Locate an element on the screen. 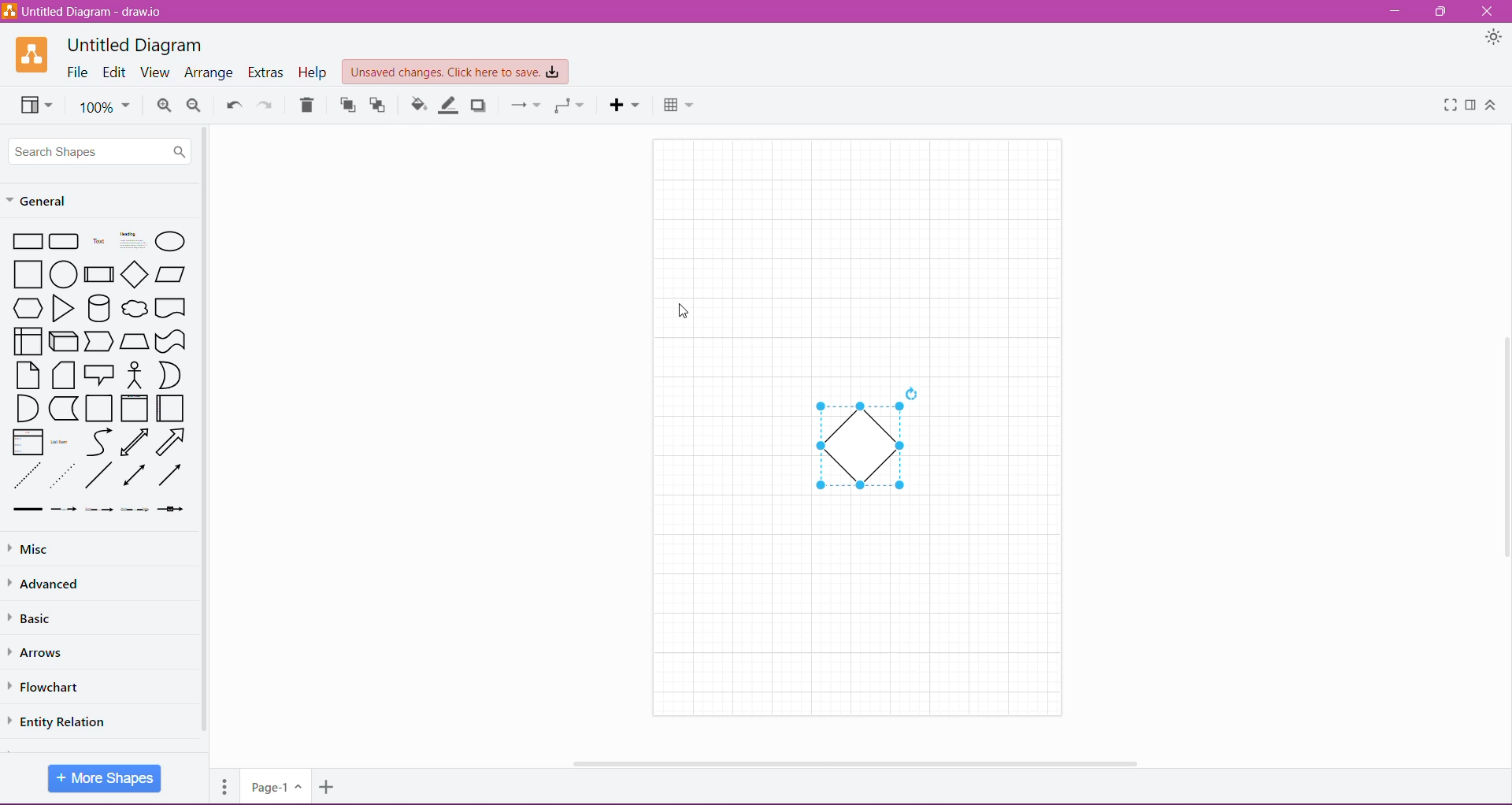 Image resolution: width=1512 pixels, height=805 pixels. Zoom Out is located at coordinates (198, 106).